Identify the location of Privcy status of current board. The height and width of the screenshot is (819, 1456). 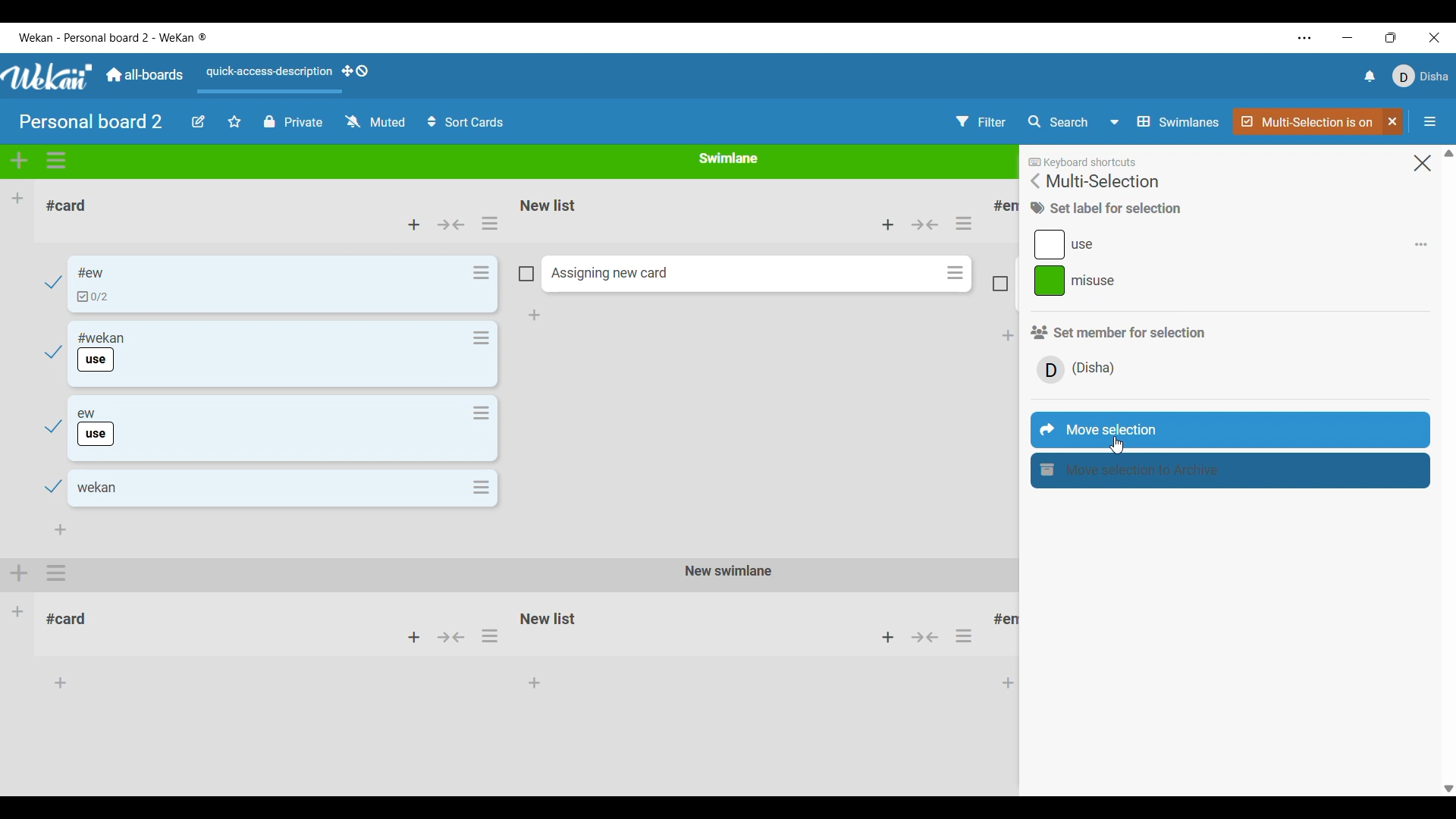
(293, 121).